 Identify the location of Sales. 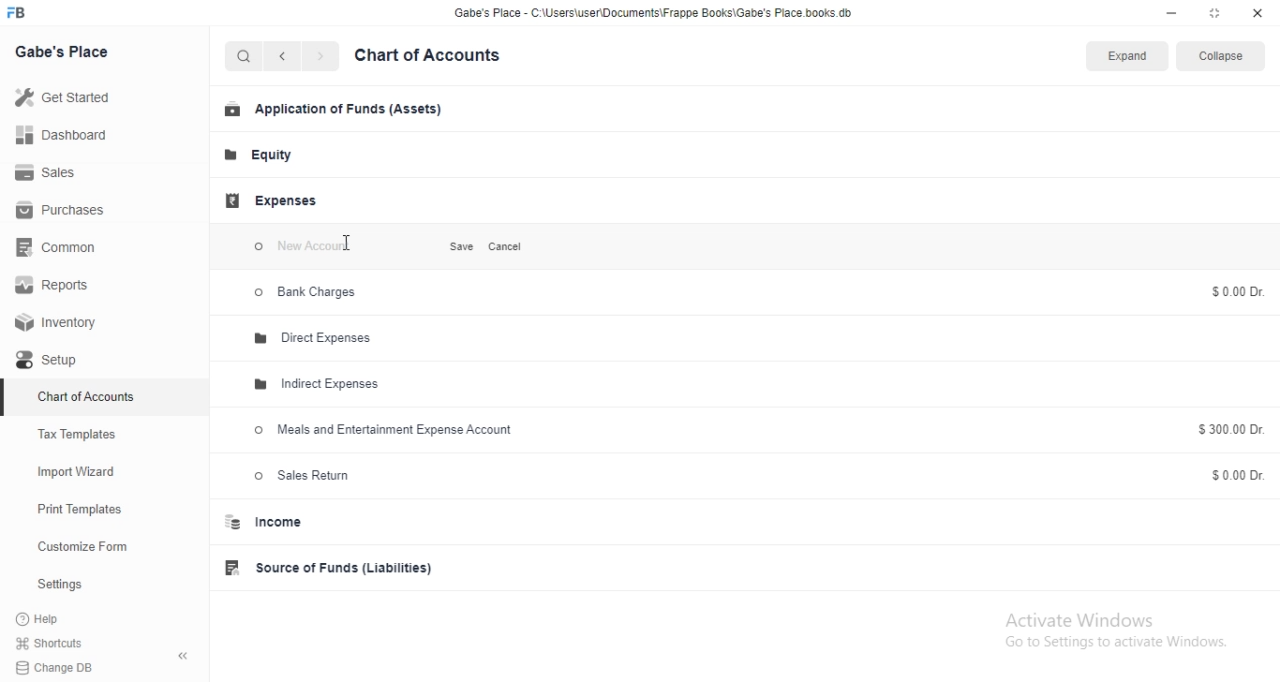
(50, 173).